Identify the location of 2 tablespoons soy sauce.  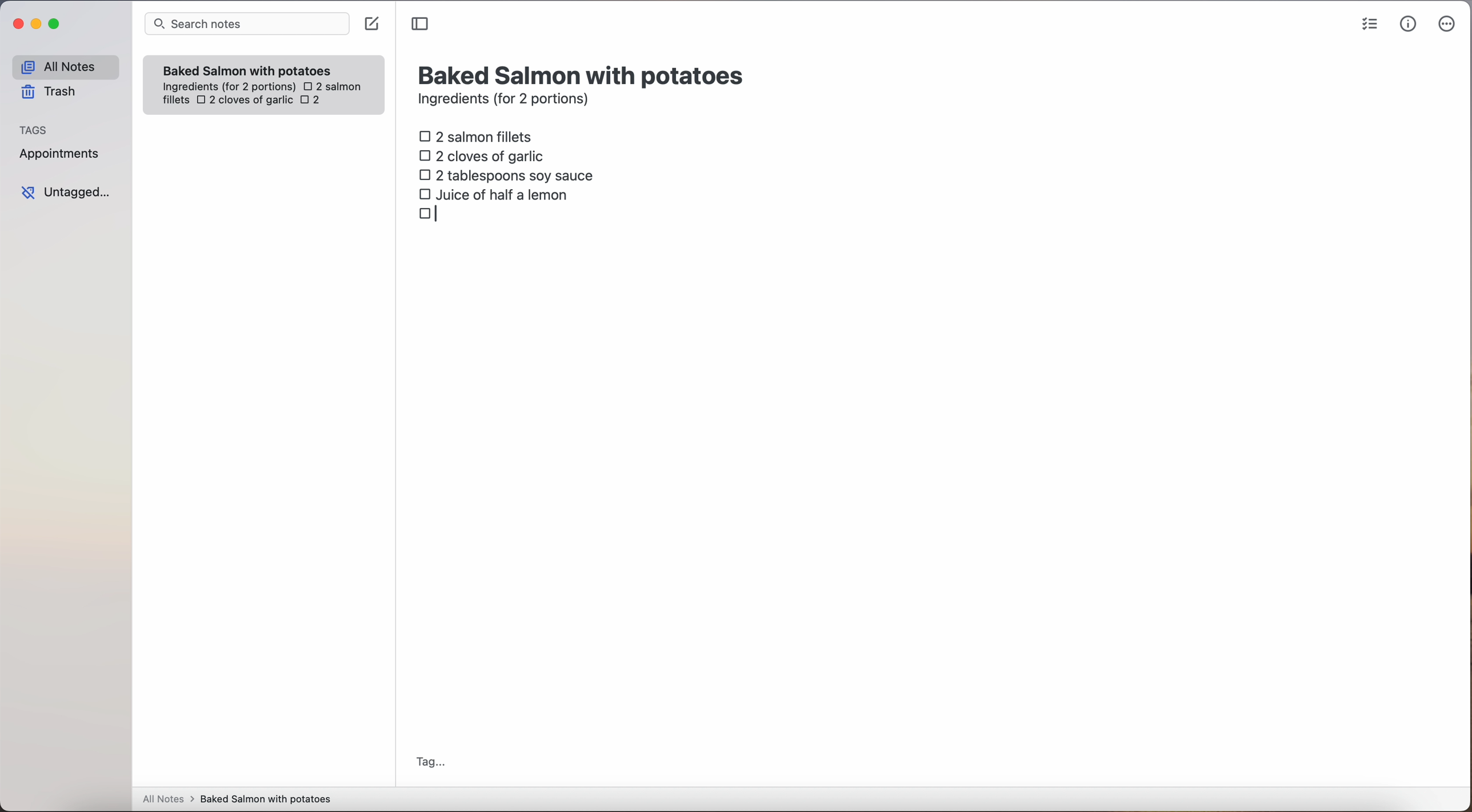
(505, 174).